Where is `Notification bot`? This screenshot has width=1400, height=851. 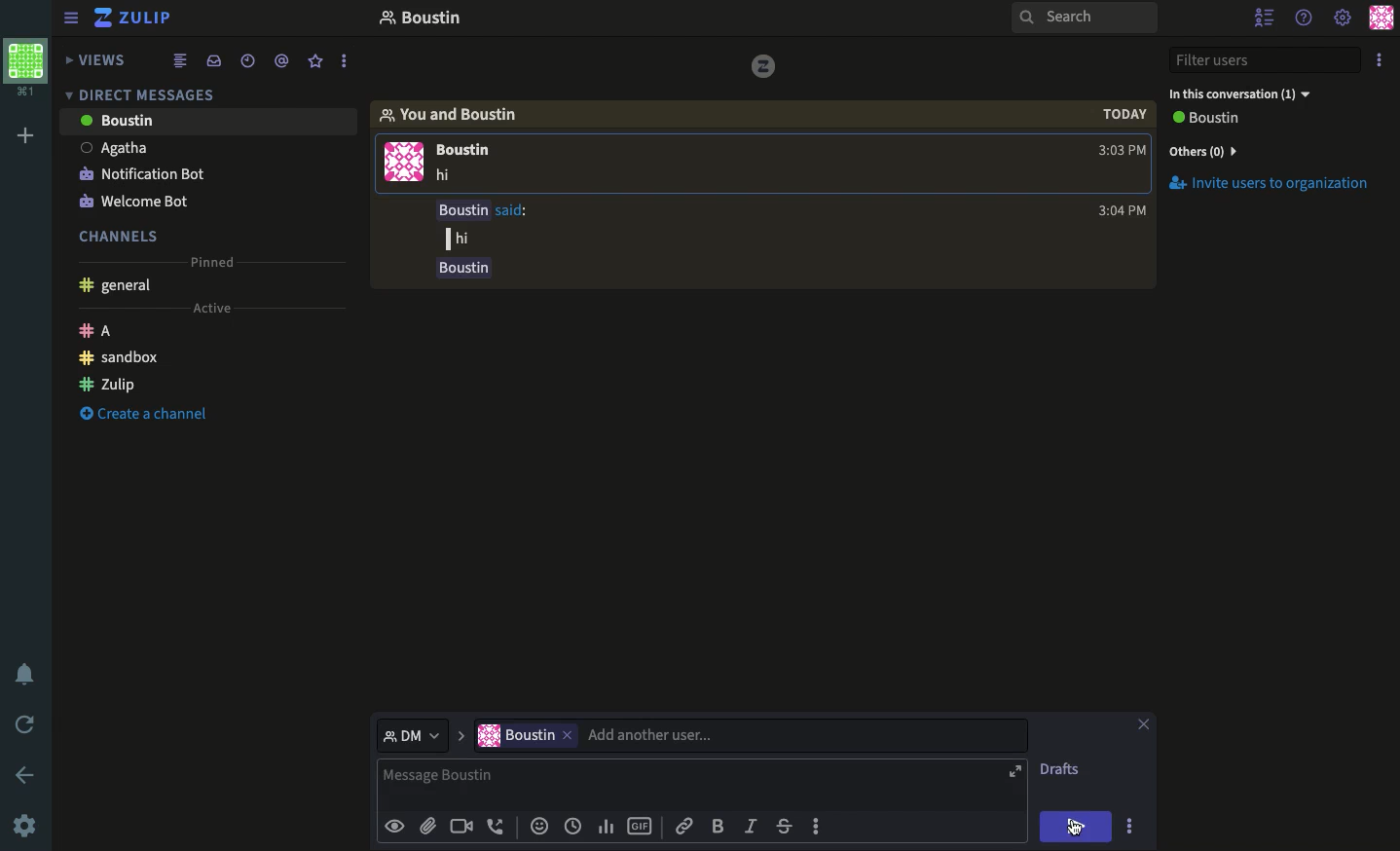
Notification bot is located at coordinates (142, 172).